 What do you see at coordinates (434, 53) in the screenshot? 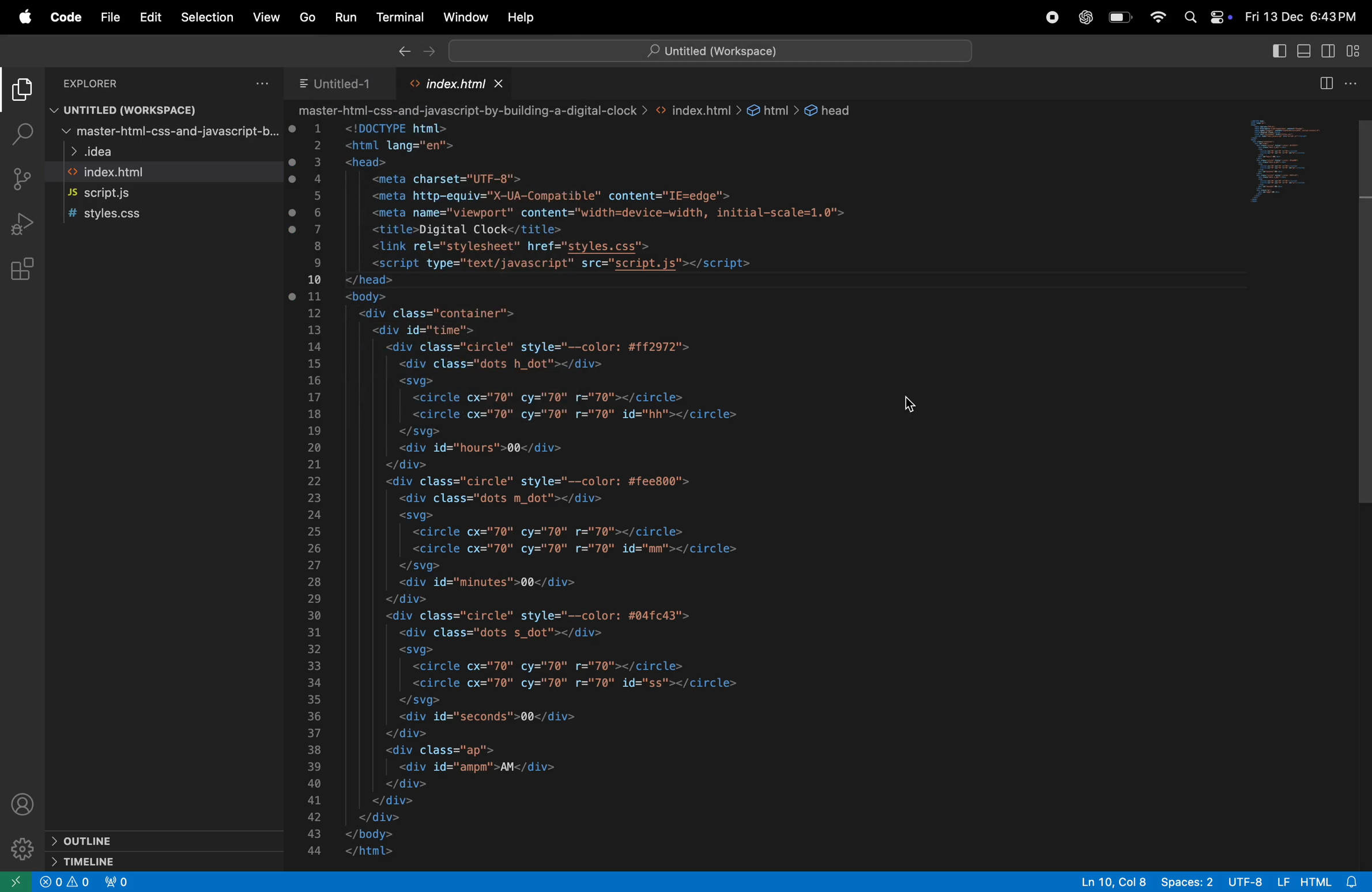
I see ` forward` at bounding box center [434, 53].